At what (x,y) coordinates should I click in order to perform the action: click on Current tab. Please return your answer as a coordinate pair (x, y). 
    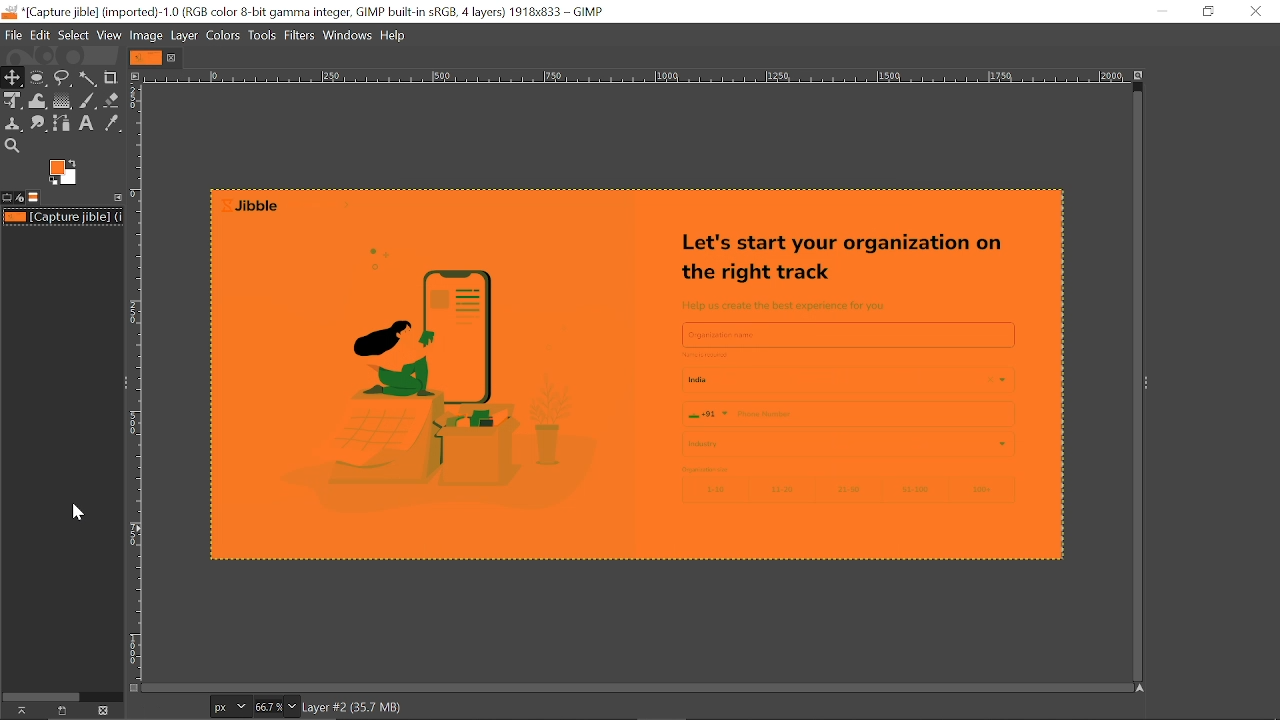
    Looking at the image, I should click on (146, 57).